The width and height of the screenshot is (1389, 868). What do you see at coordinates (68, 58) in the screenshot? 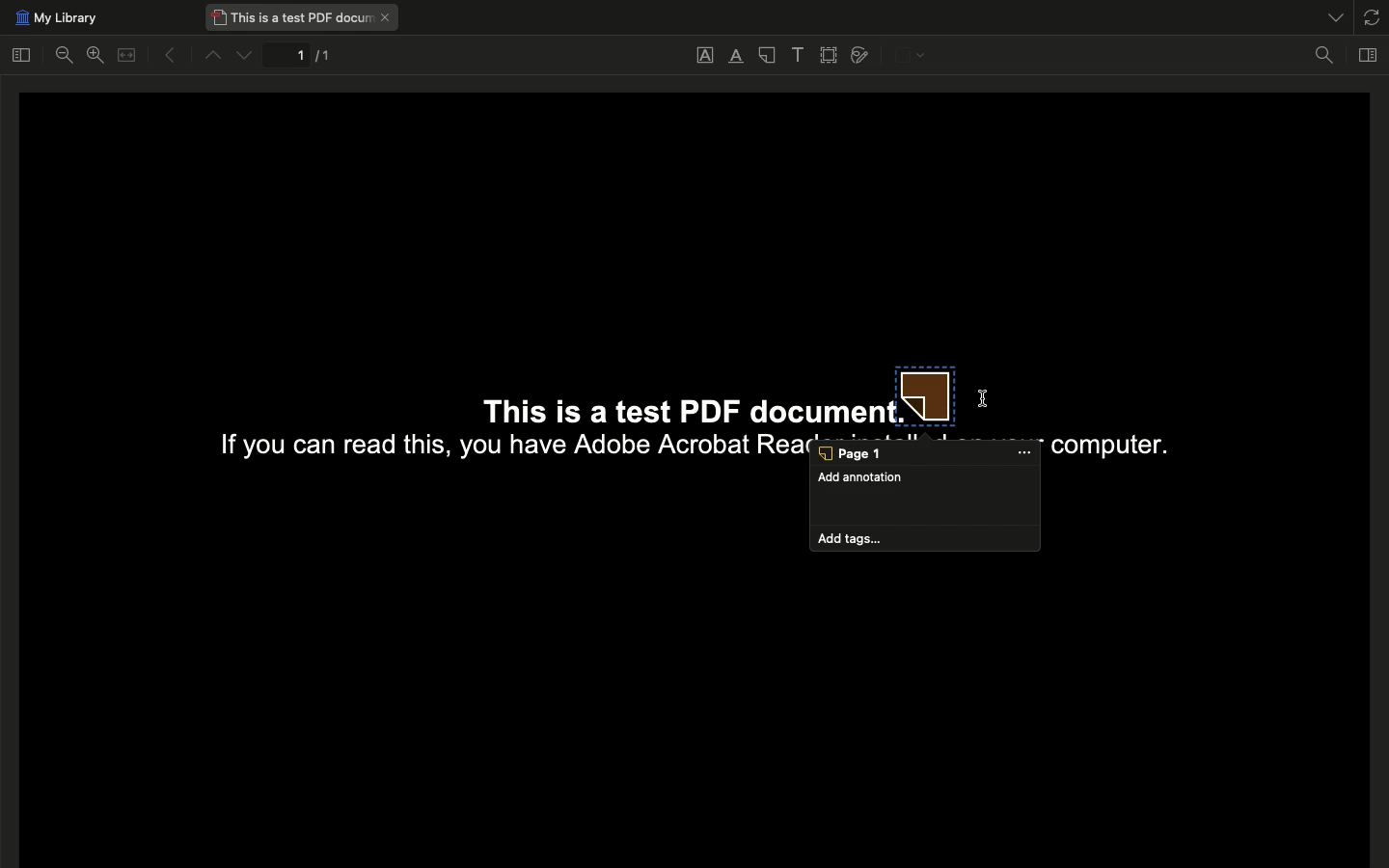
I see `Zoom out` at bounding box center [68, 58].